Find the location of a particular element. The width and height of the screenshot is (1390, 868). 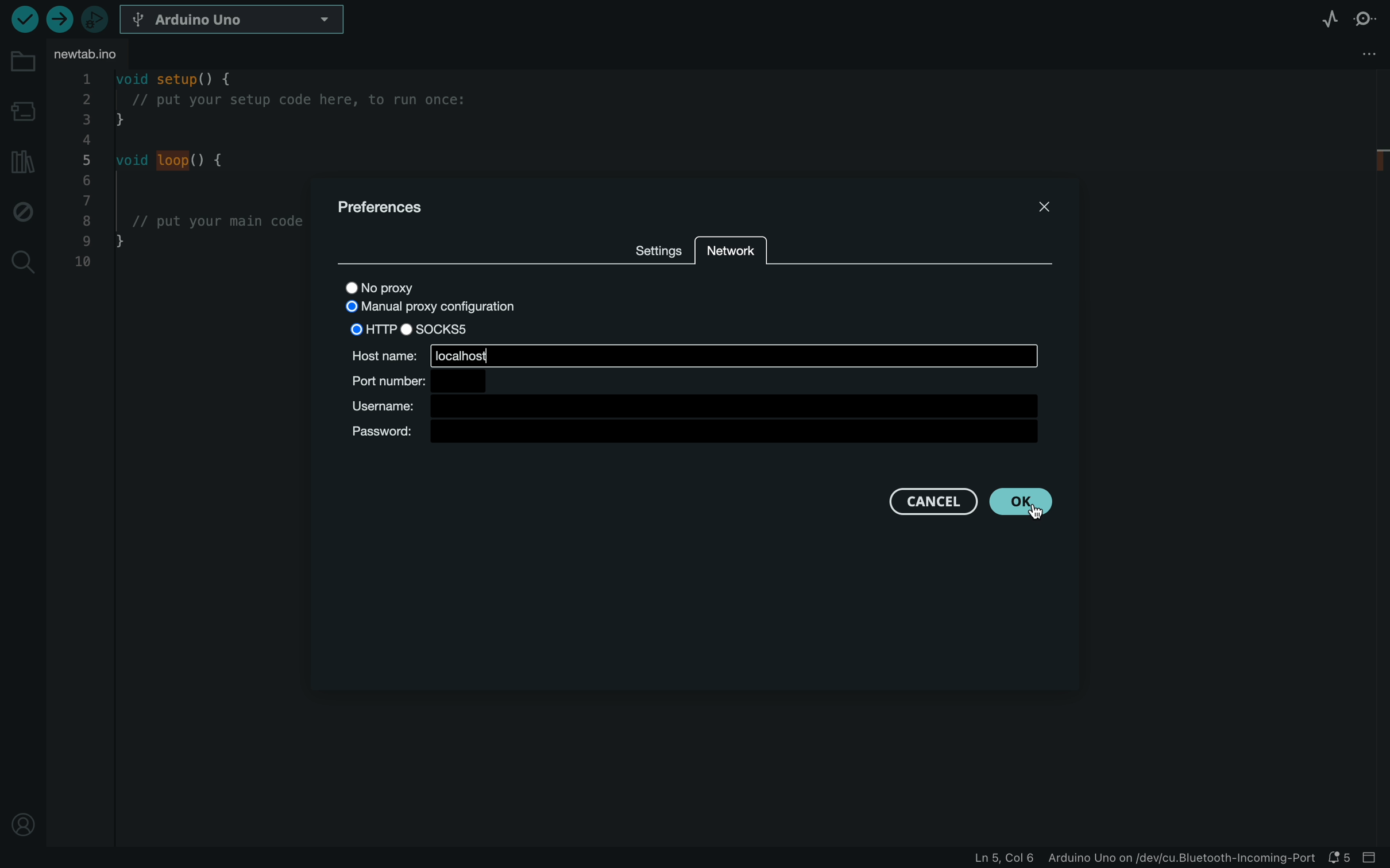

notification is located at coordinates (1341, 858).